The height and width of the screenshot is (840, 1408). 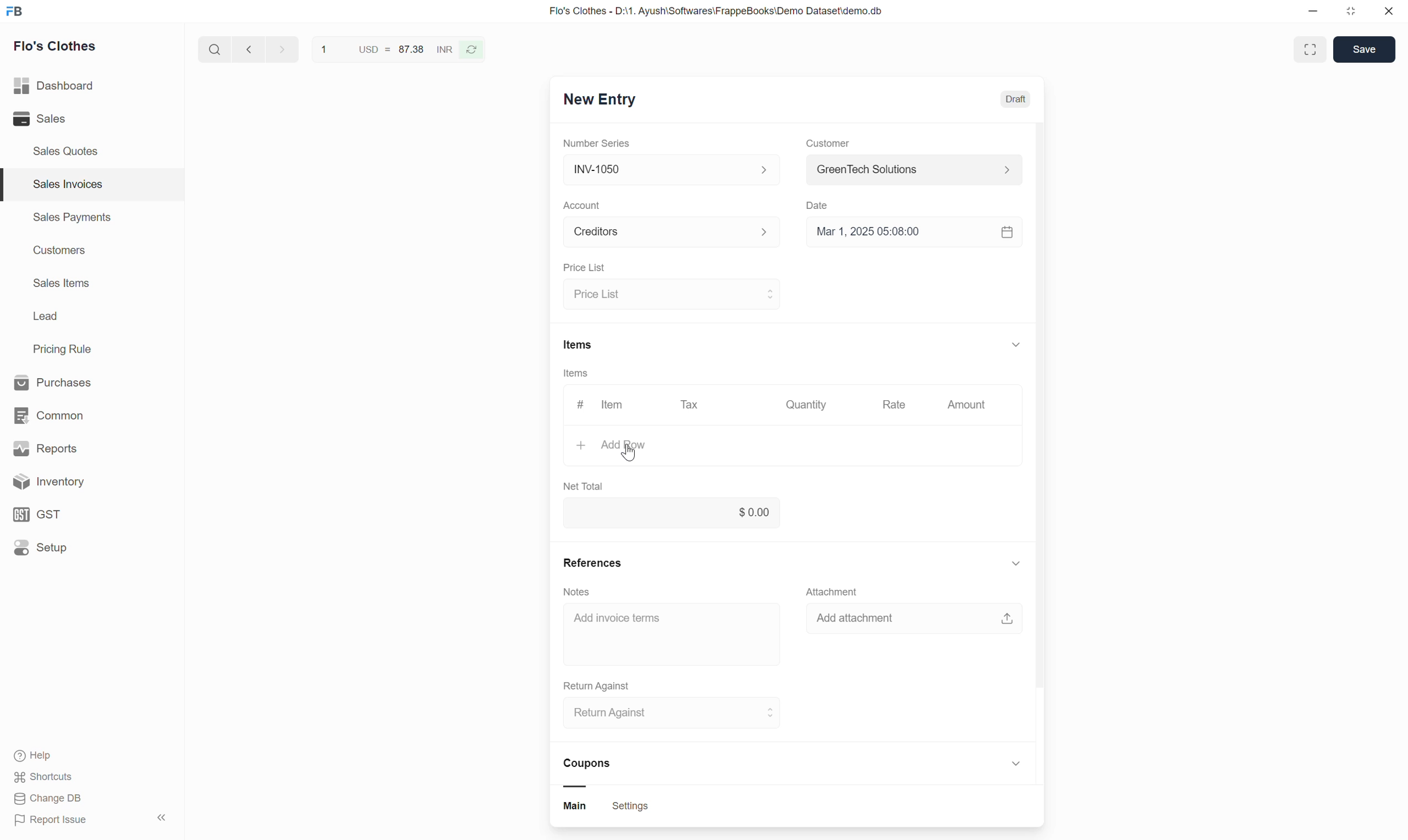 I want to click on Attachment, so click(x=836, y=592).